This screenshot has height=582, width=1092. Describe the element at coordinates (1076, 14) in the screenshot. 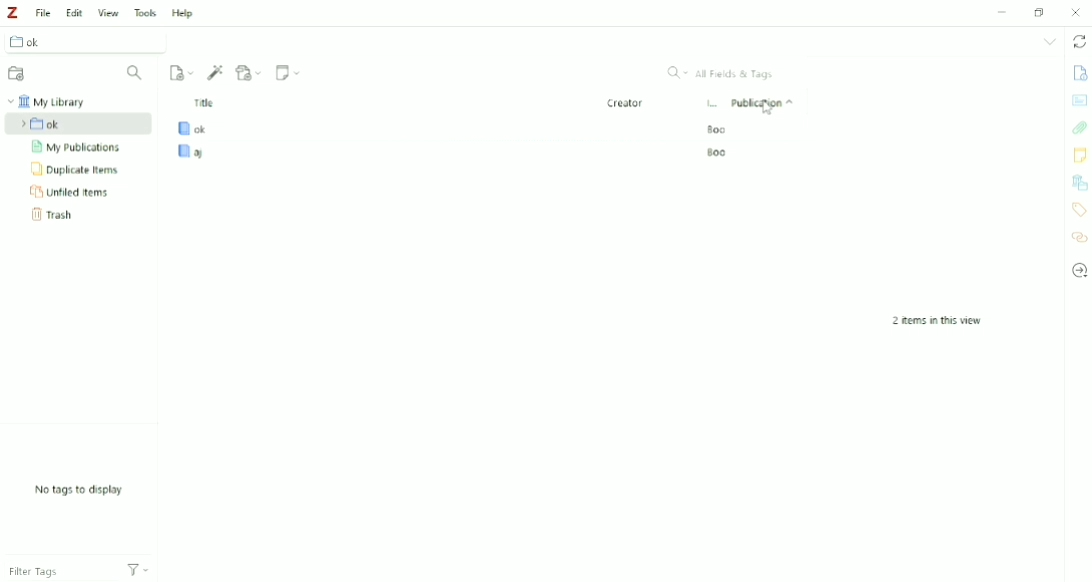

I see `Close` at that location.